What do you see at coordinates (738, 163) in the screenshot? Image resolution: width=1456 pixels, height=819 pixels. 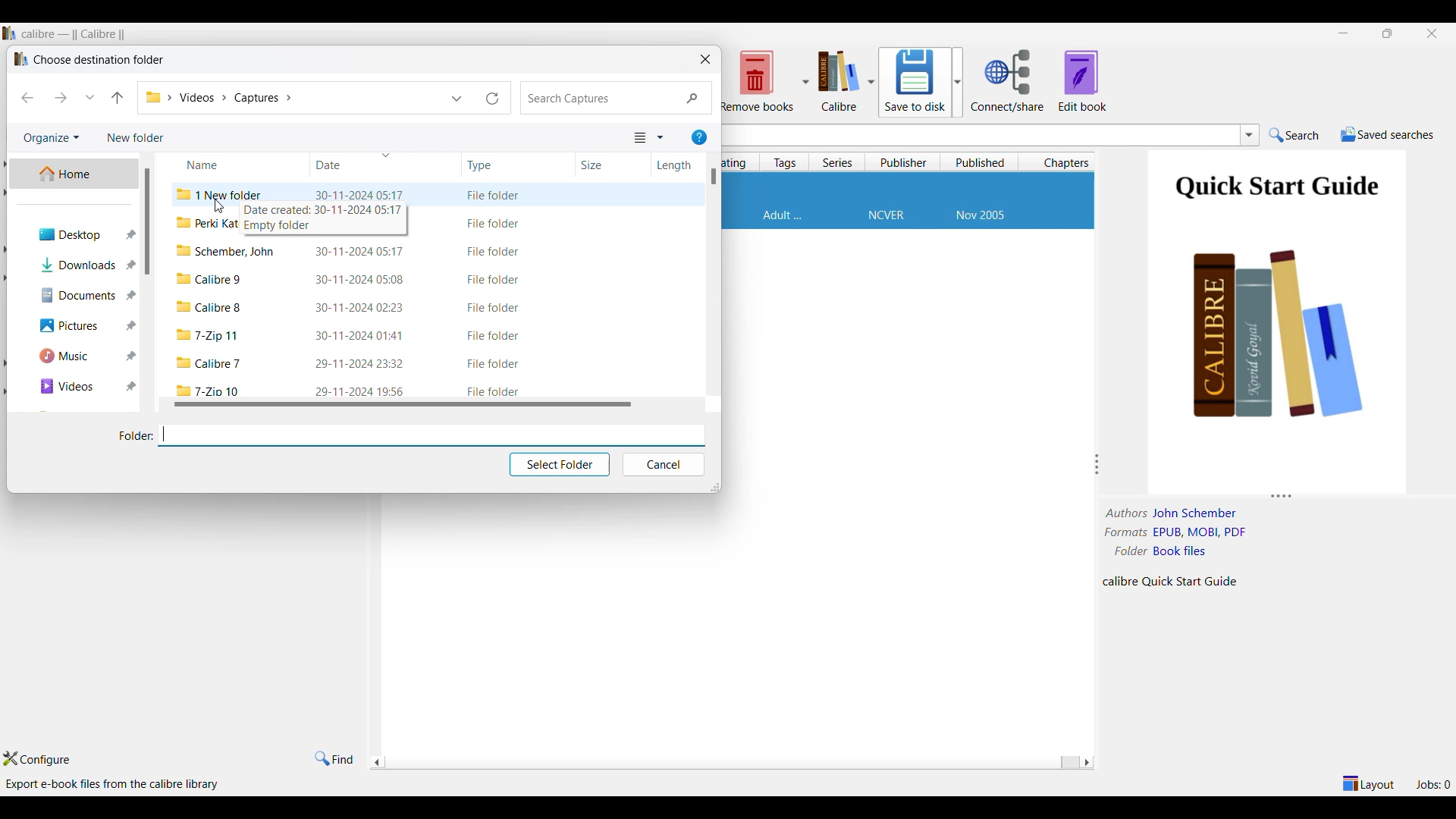 I see `Rating column` at bounding box center [738, 163].